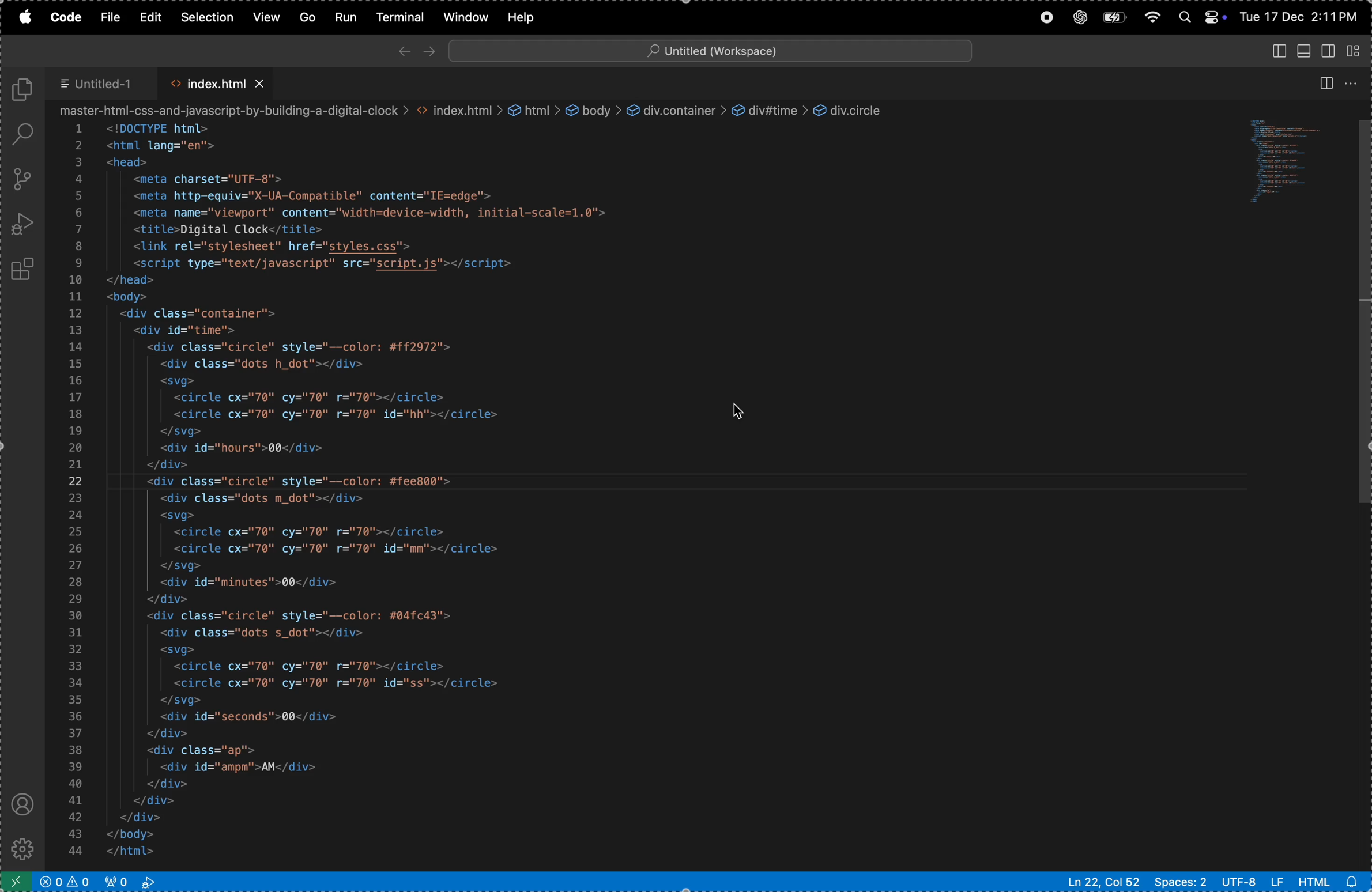  What do you see at coordinates (205, 16) in the screenshot?
I see `selection` at bounding box center [205, 16].